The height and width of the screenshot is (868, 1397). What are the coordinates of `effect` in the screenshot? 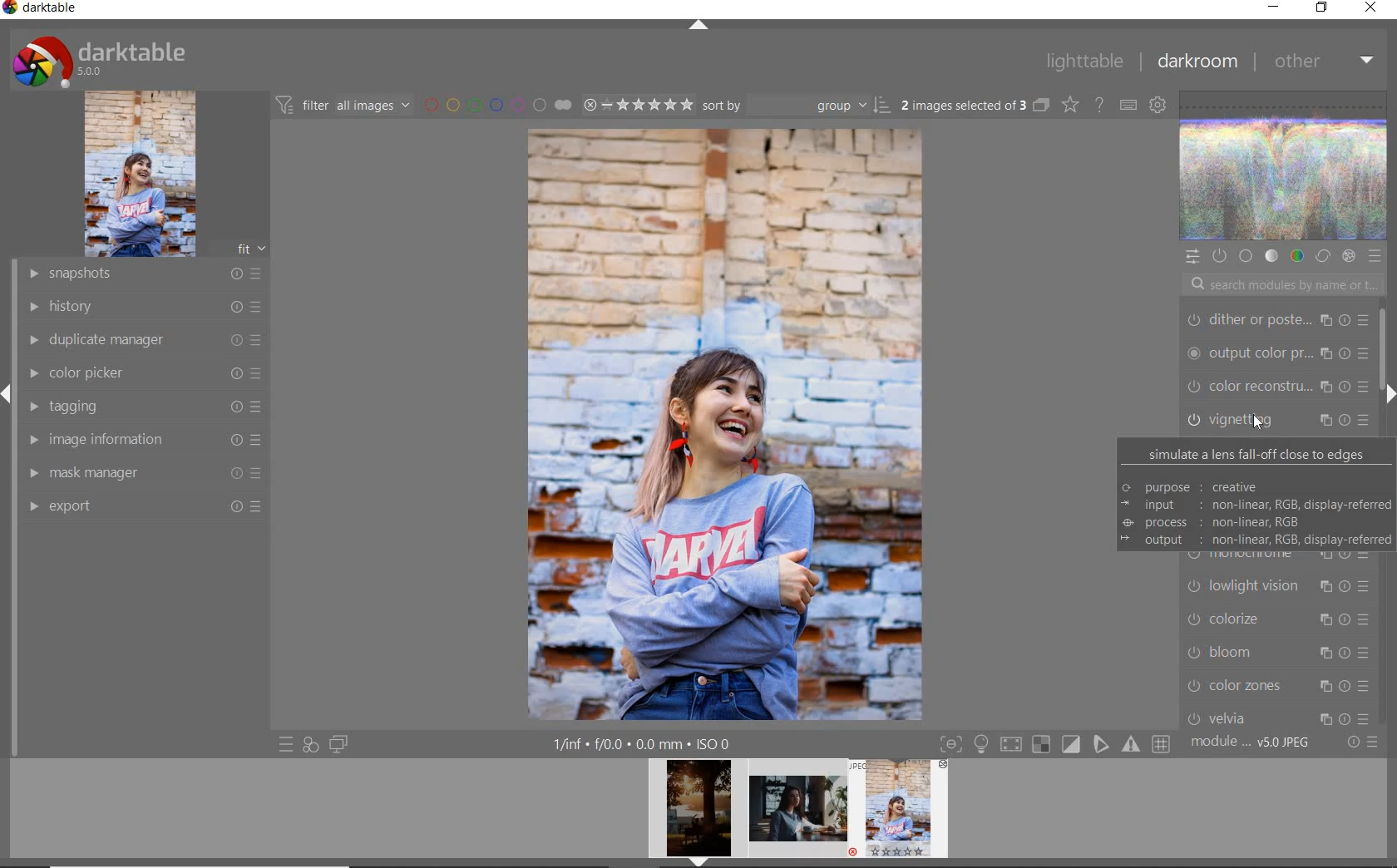 It's located at (1348, 256).